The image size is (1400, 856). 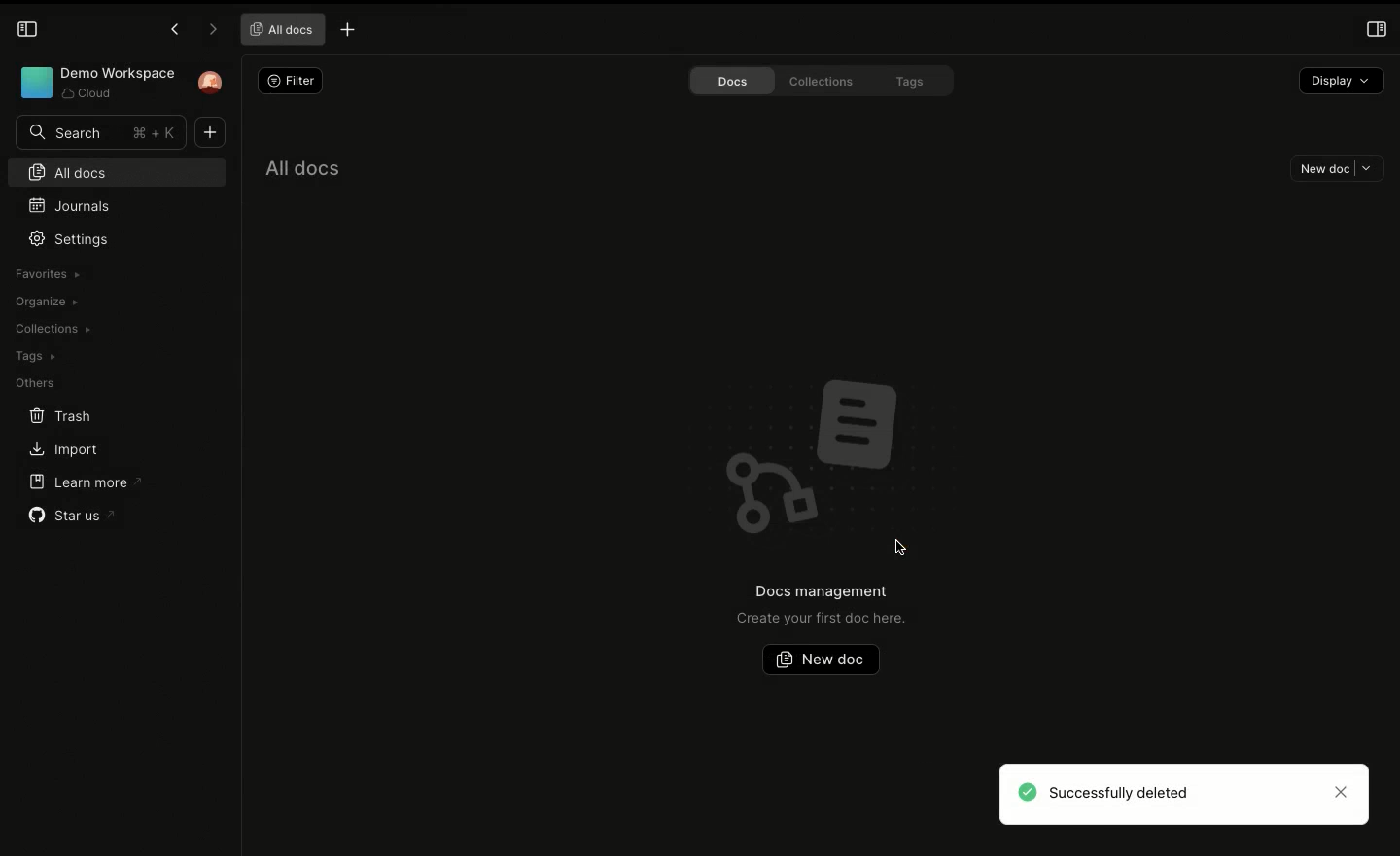 What do you see at coordinates (35, 356) in the screenshot?
I see `Tags` at bounding box center [35, 356].